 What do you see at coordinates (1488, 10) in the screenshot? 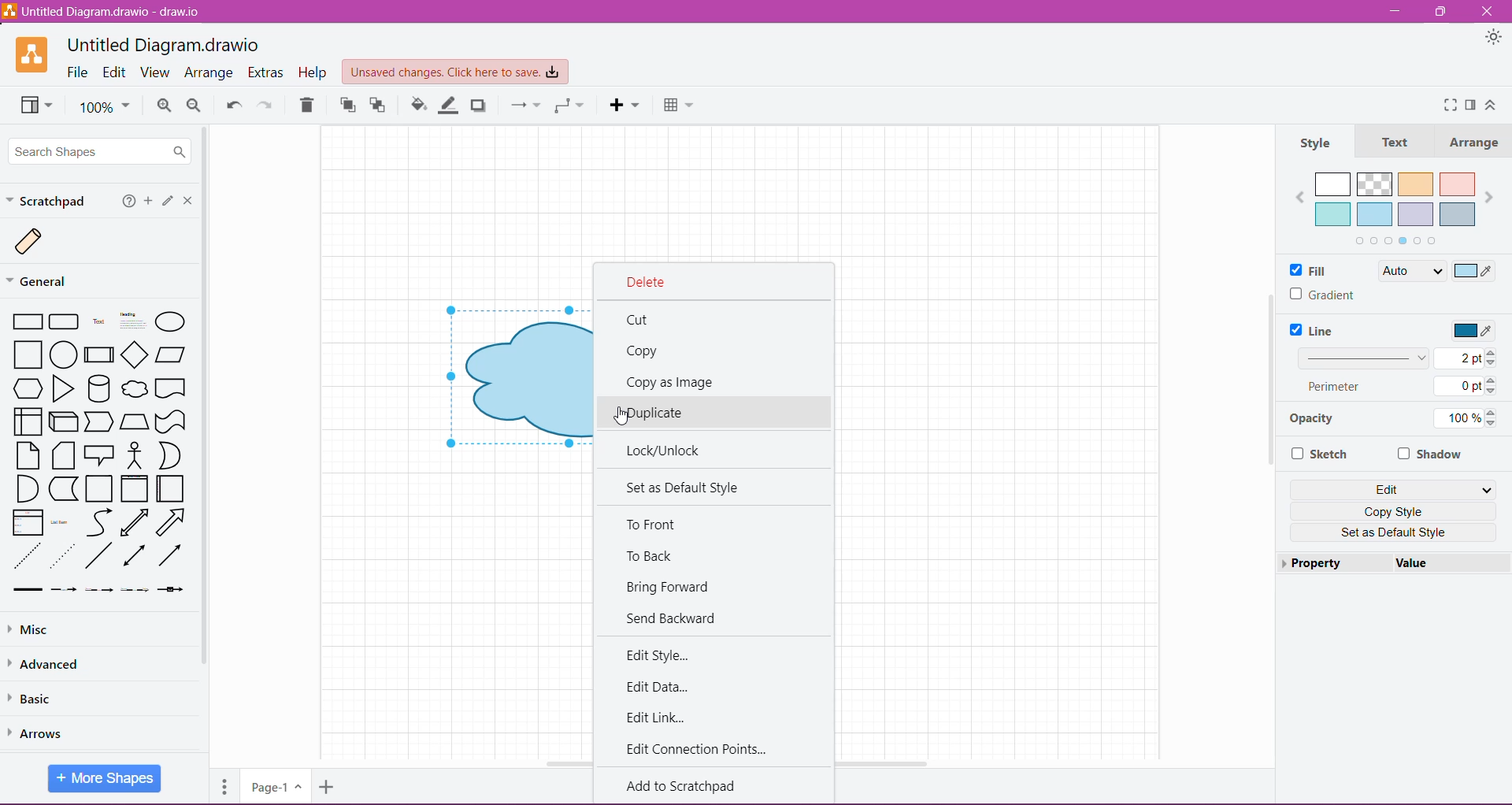
I see `Close` at bounding box center [1488, 10].